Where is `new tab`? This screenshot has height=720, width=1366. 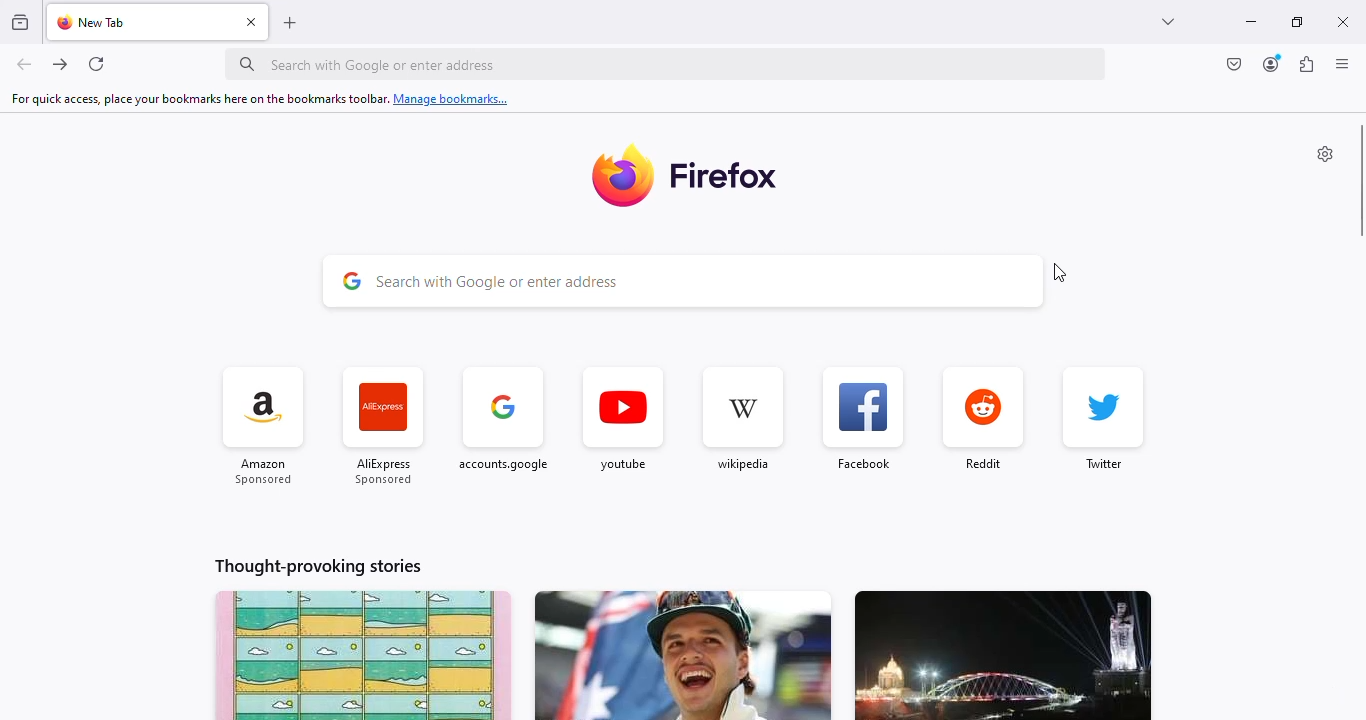 new tab is located at coordinates (96, 22).